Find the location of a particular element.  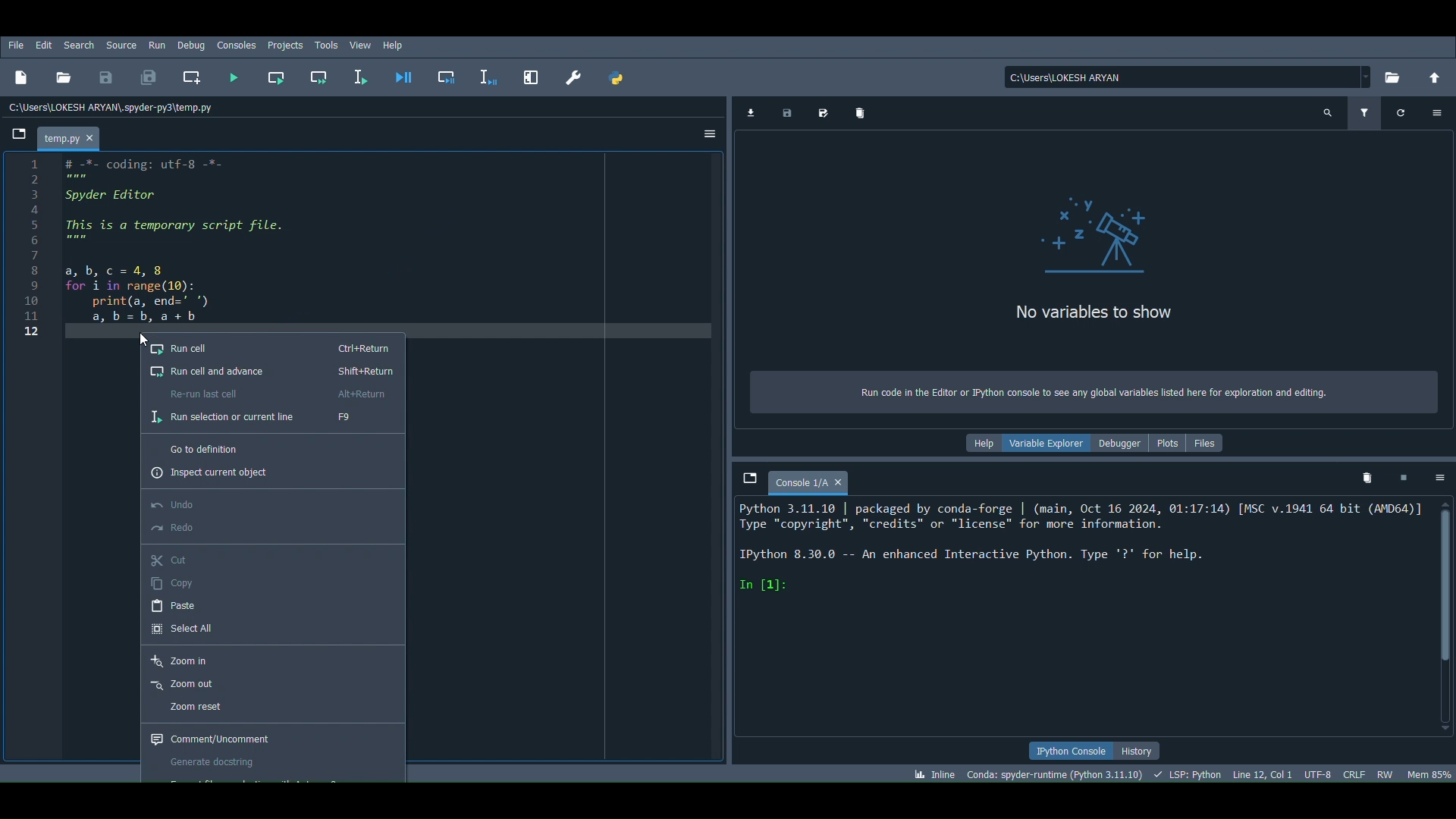

Redo is located at coordinates (269, 528).